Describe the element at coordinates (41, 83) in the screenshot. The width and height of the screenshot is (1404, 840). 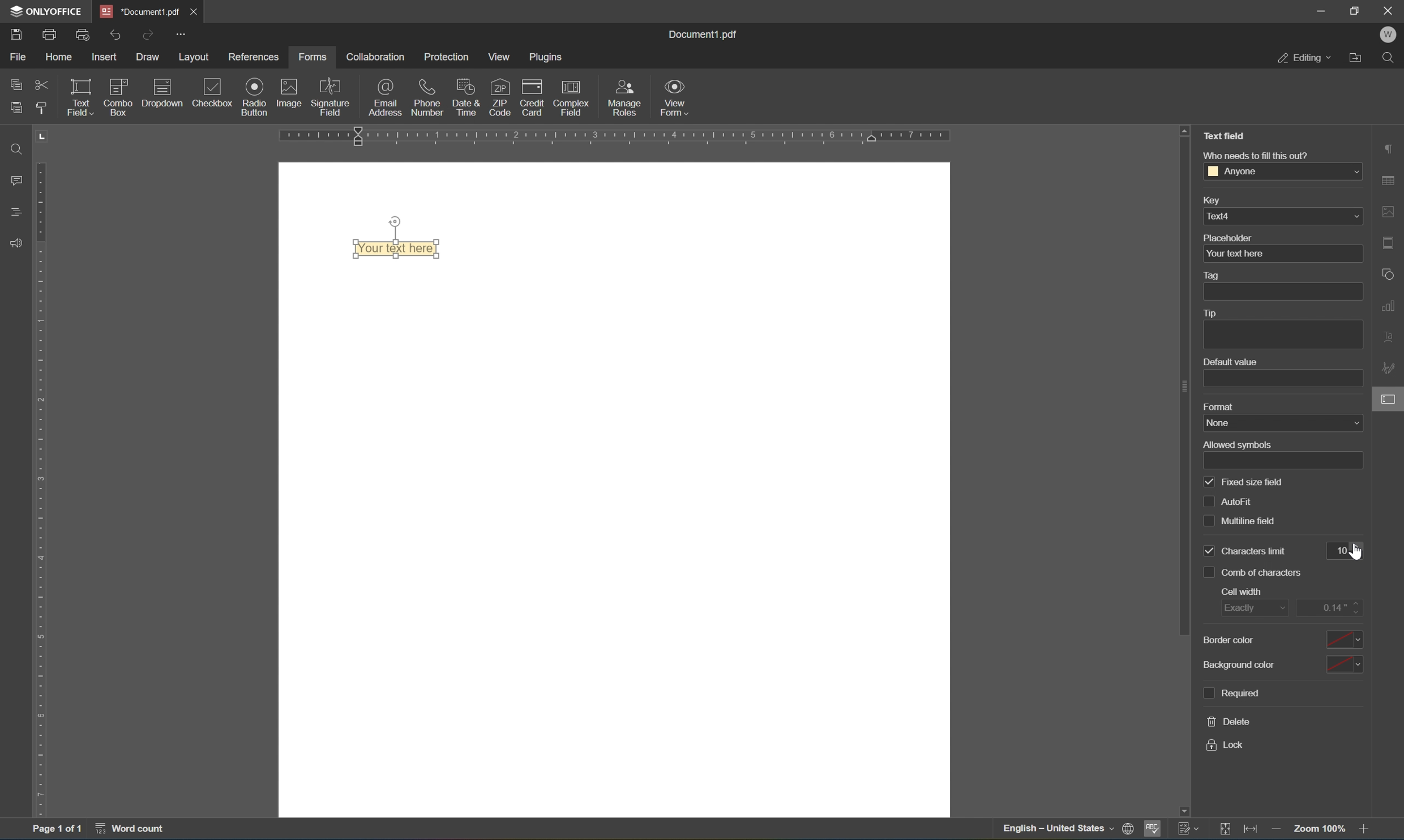
I see `cut` at that location.